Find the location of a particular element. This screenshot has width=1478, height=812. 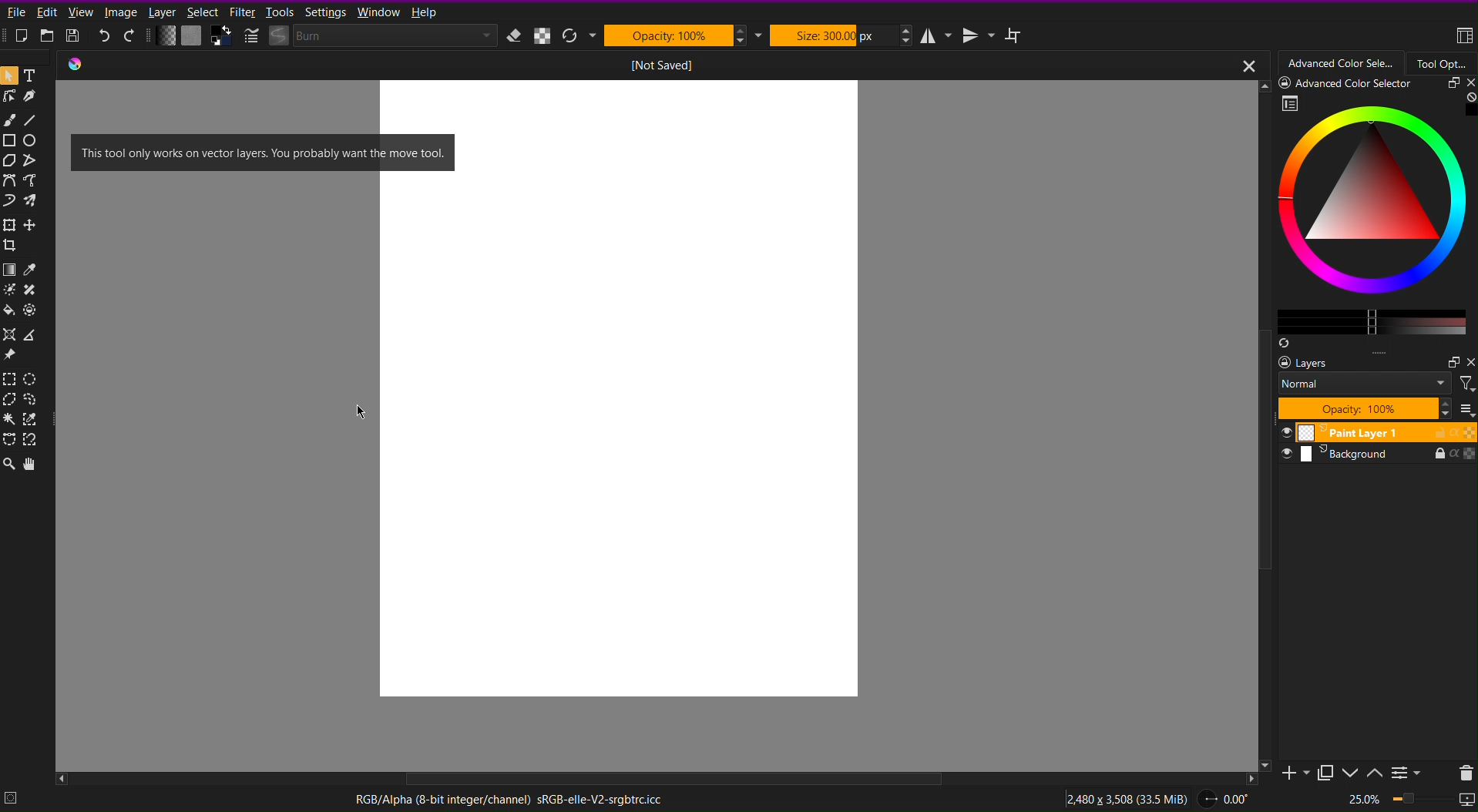

File is located at coordinates (15, 15).